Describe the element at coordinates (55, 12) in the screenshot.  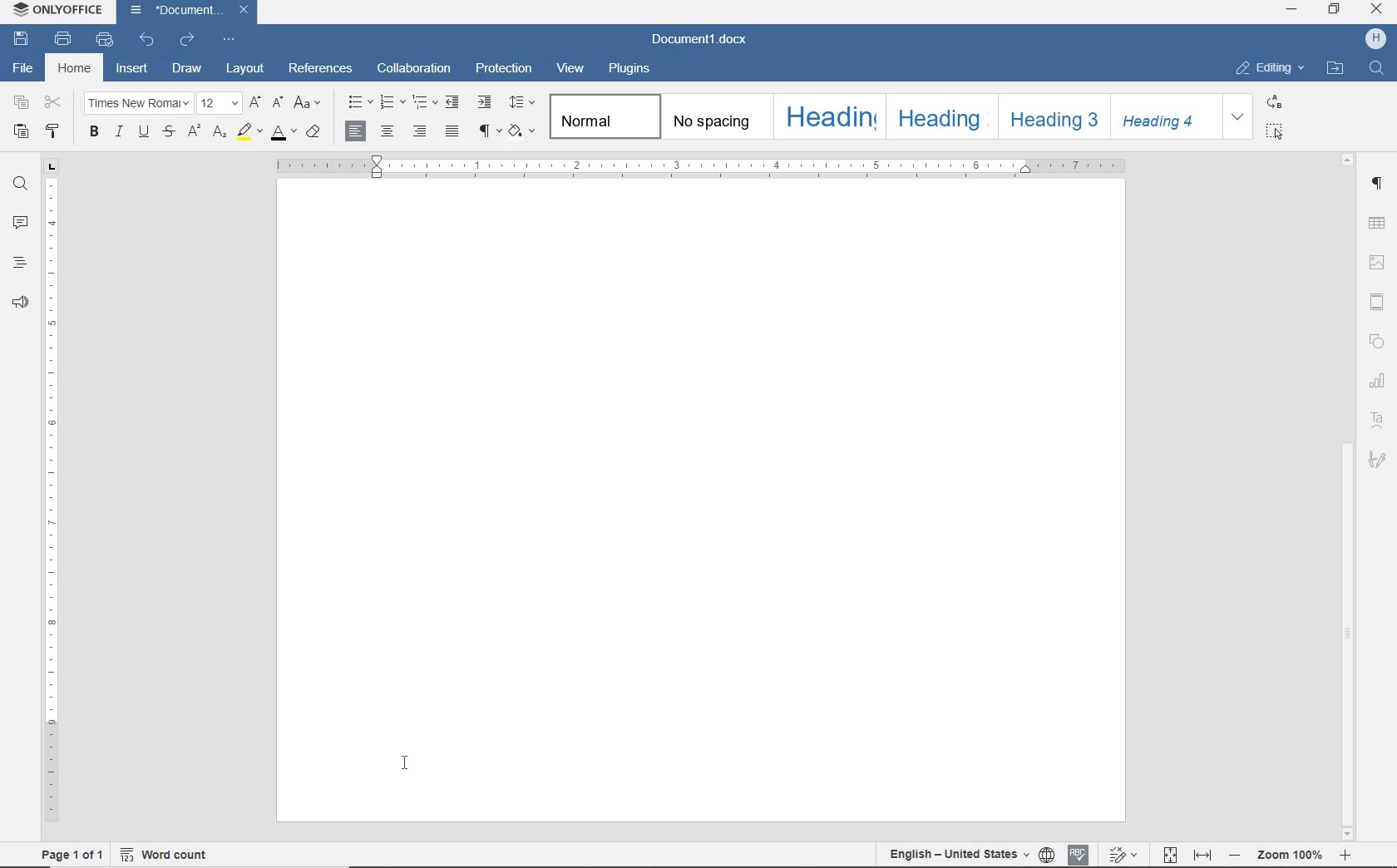
I see `ONLYOFFICE` at that location.